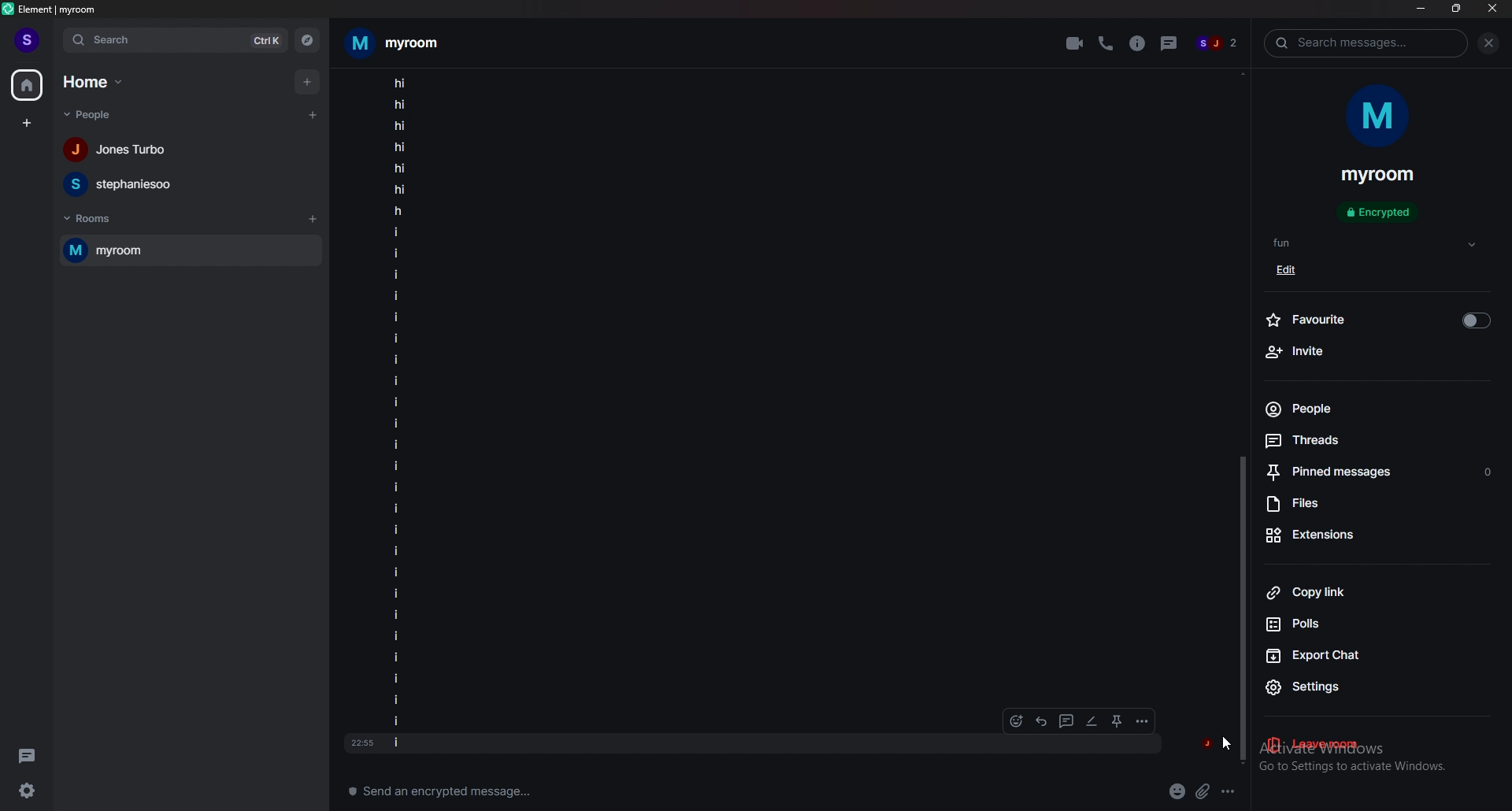 The height and width of the screenshot is (811, 1512). Describe the element at coordinates (458, 409) in the screenshot. I see `hihihihihihihiiiiiiiiiiiiiiiiiiiiiiiii` at that location.